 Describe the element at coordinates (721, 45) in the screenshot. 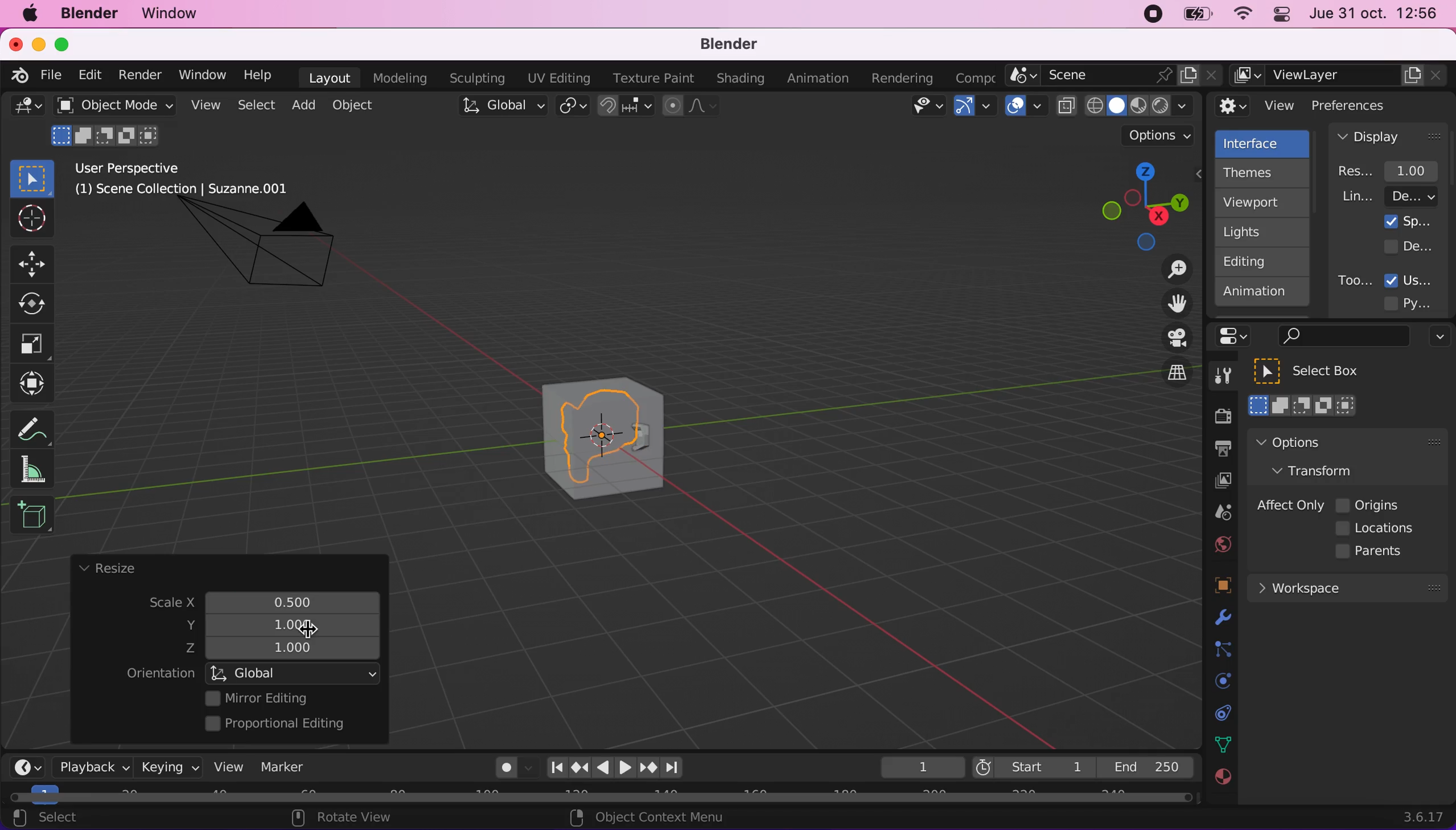

I see `blender` at that location.